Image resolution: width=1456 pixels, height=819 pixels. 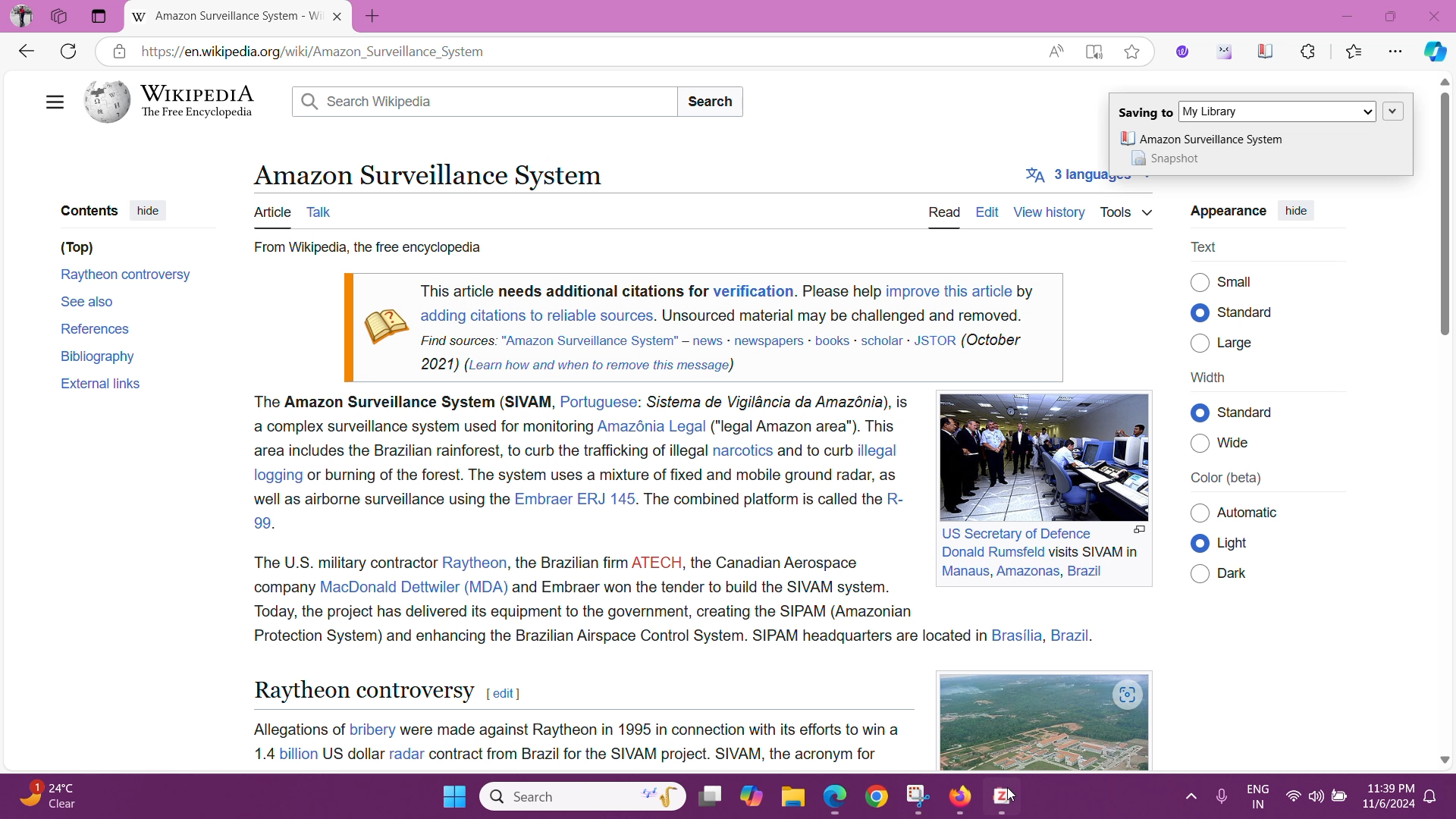 I want to click on edit, so click(x=503, y=694).